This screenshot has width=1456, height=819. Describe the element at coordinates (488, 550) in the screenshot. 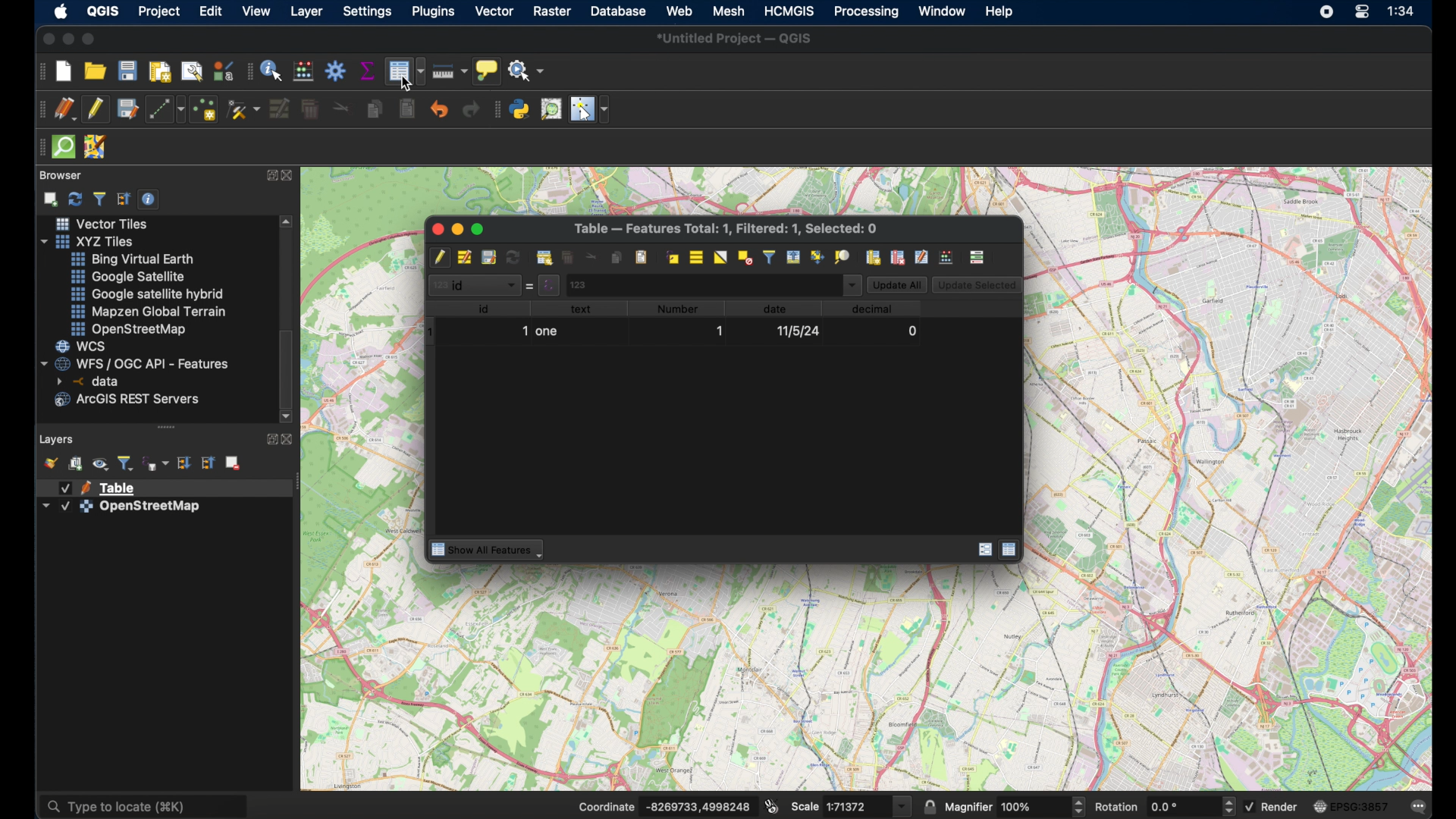

I see `show all features` at that location.